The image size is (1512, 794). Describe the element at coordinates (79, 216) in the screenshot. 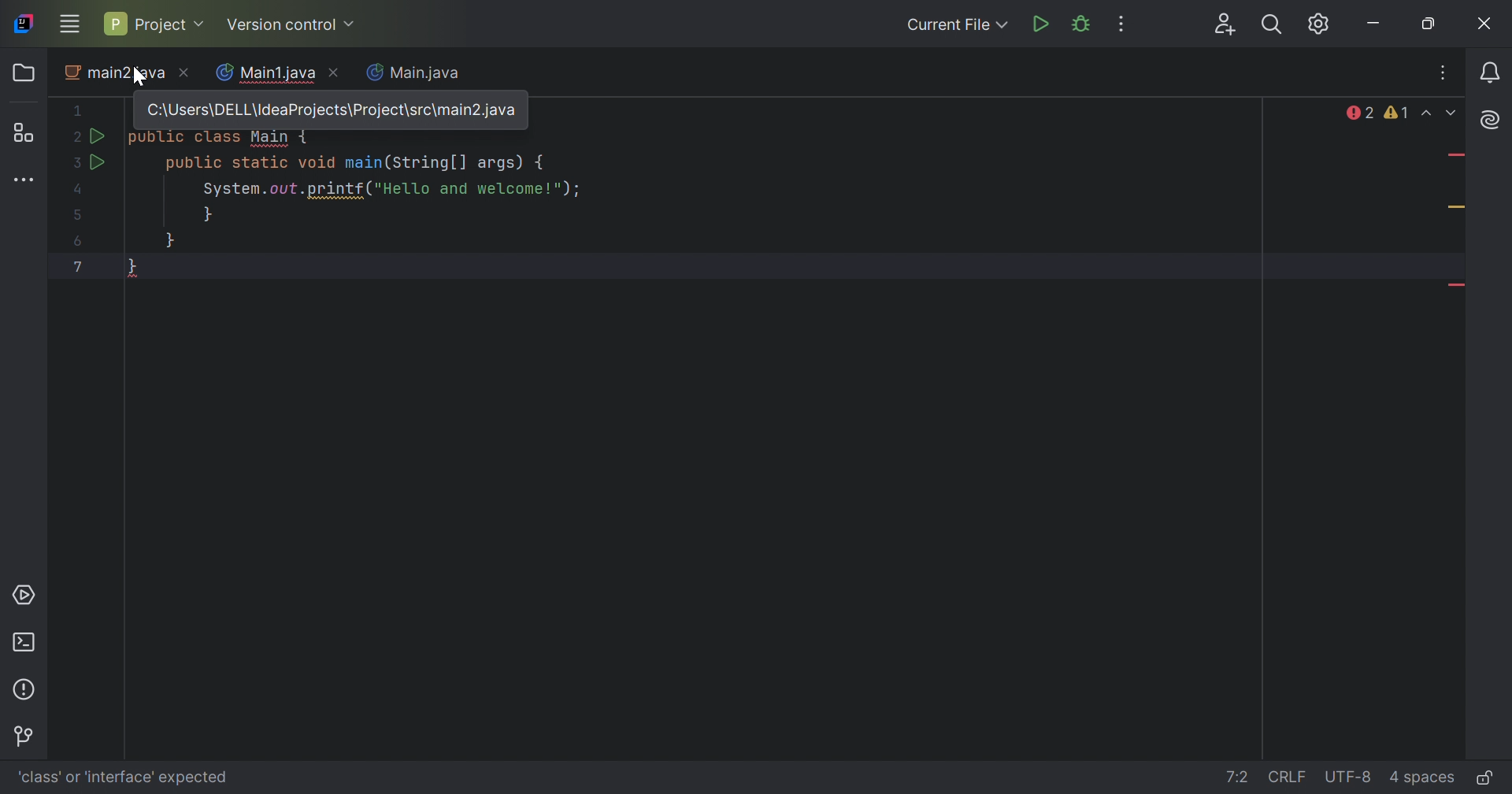

I see `5` at that location.